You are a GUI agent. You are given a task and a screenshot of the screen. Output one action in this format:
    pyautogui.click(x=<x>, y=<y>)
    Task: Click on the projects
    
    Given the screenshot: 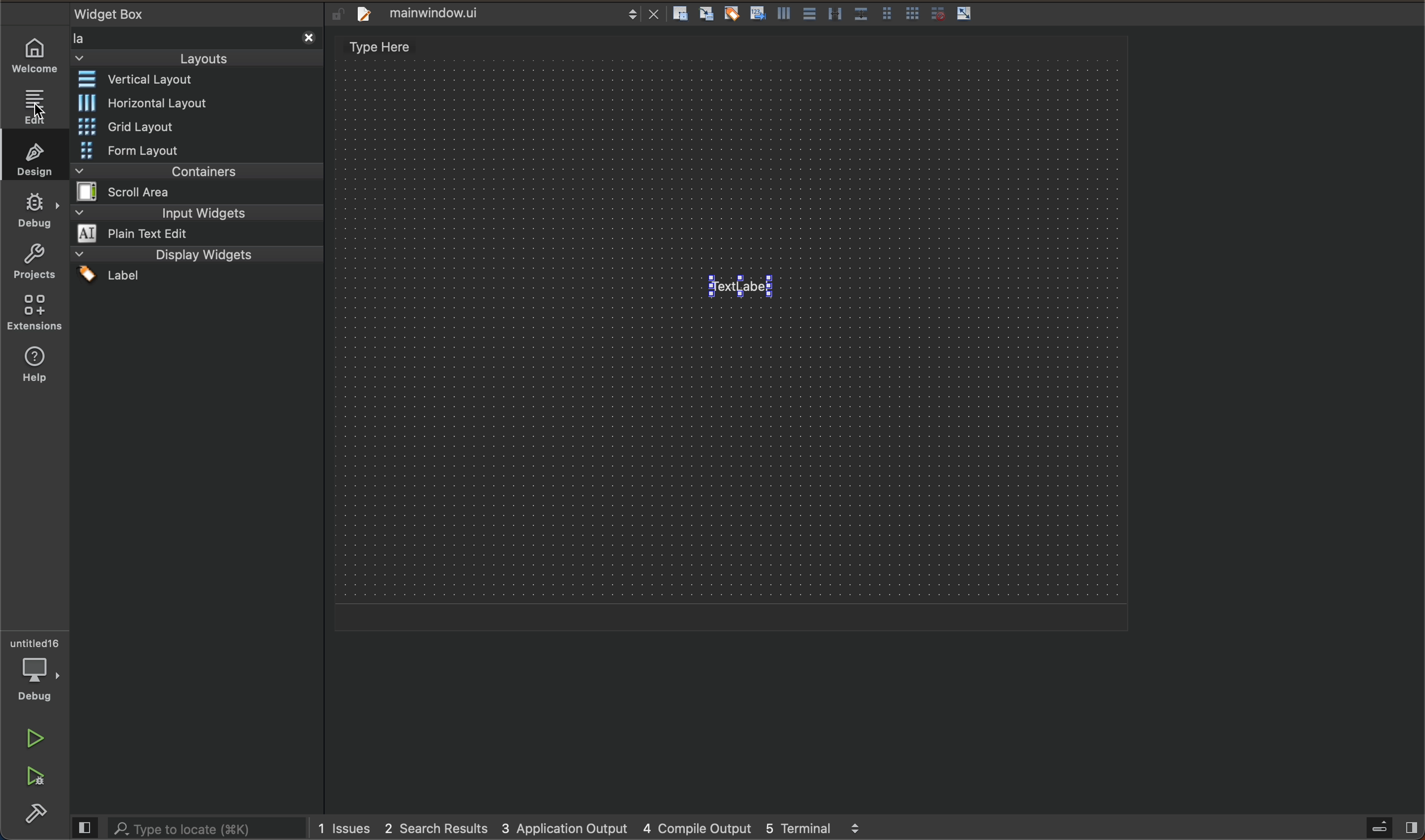 What is the action you would take?
    pyautogui.click(x=34, y=263)
    